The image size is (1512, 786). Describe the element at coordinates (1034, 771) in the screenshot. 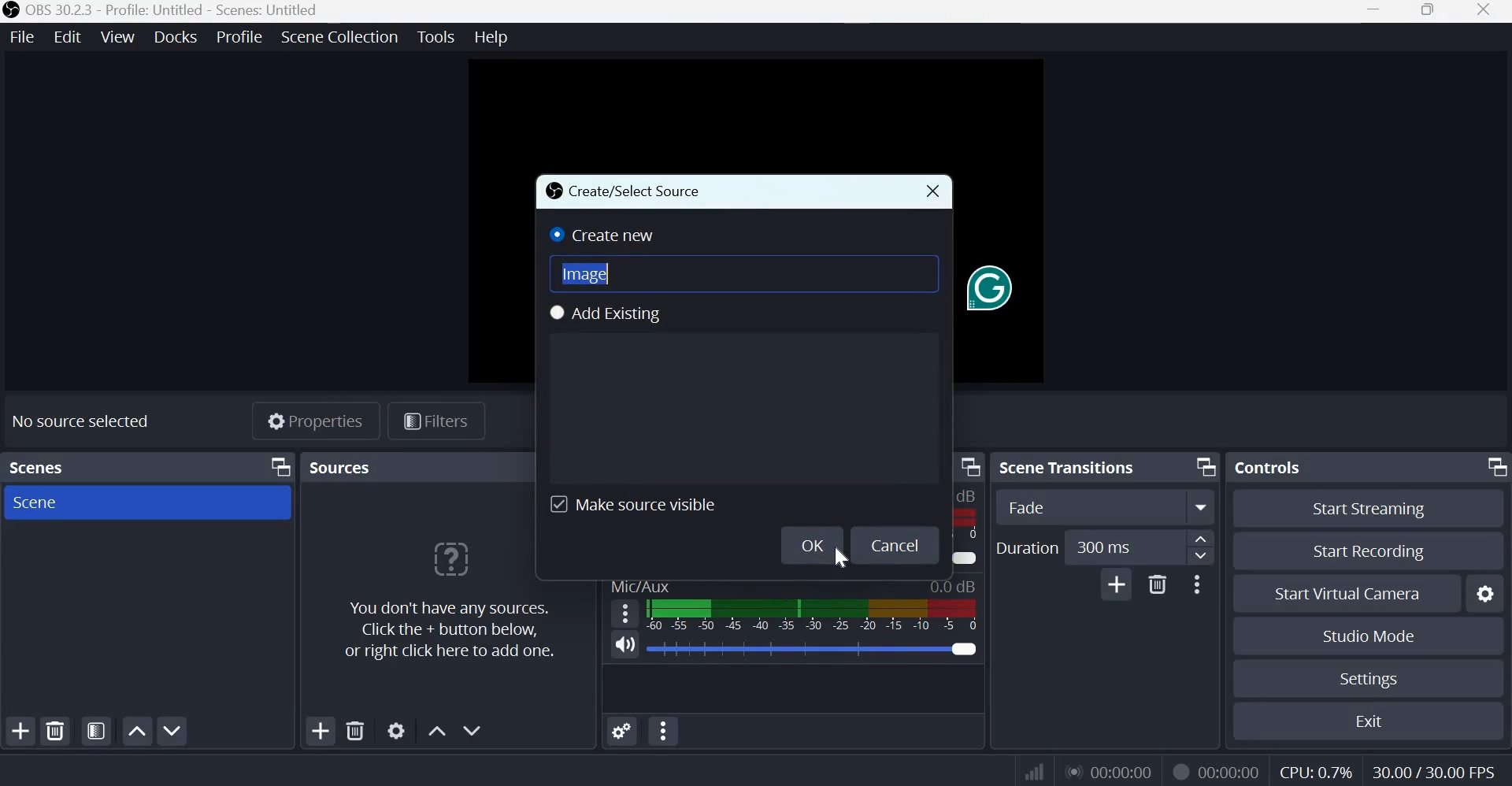

I see `Connection Status Indicator` at that location.